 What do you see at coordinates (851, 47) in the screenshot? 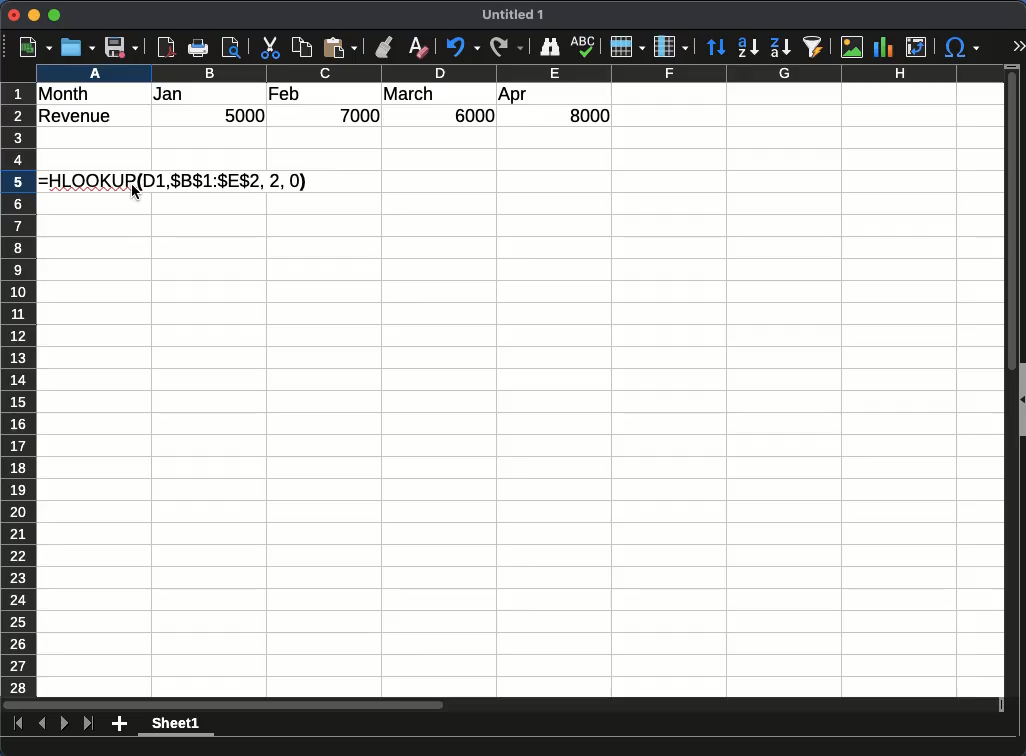
I see `image` at bounding box center [851, 47].